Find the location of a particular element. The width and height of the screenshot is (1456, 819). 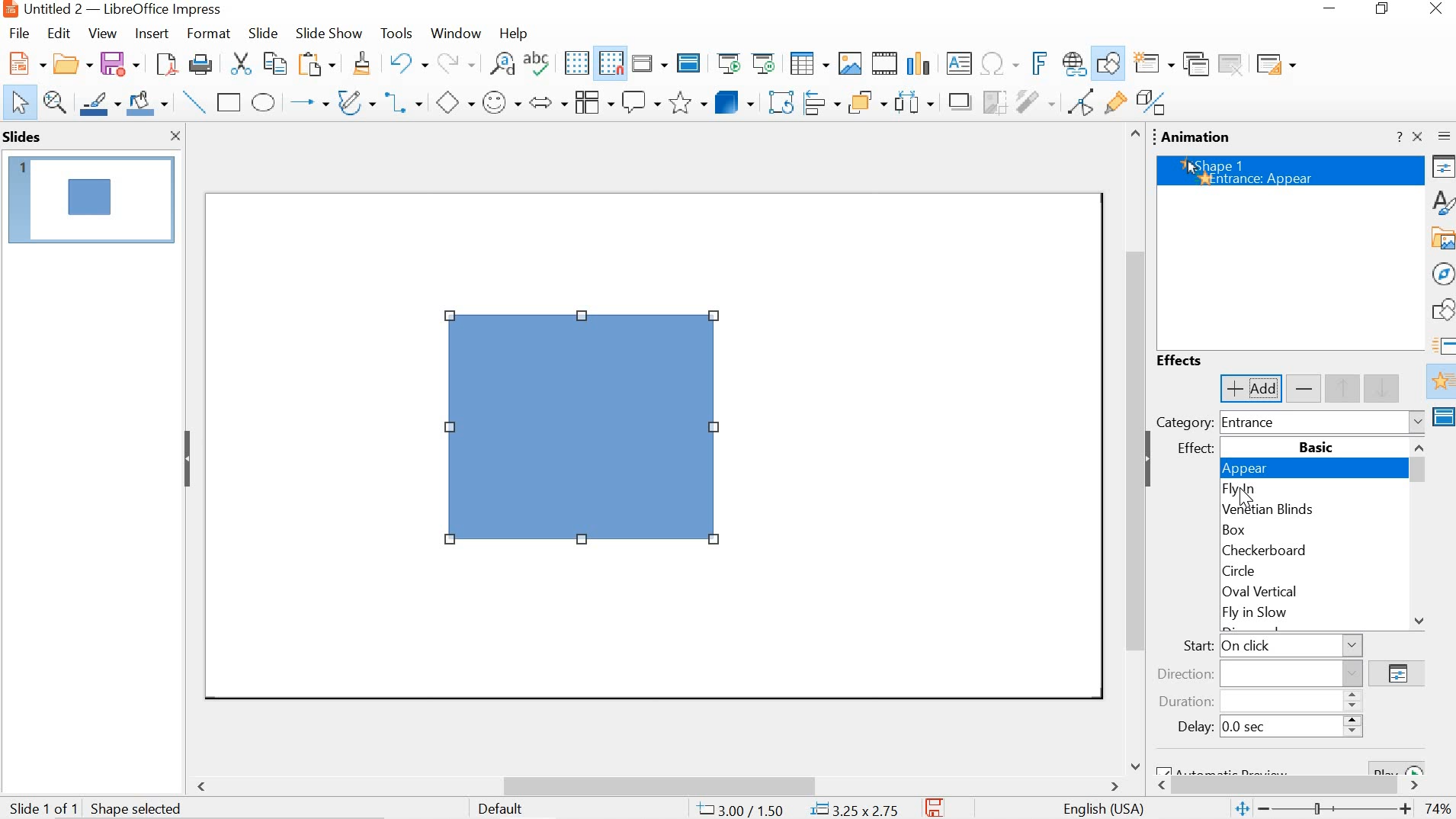

insert special characters is located at coordinates (1004, 63).